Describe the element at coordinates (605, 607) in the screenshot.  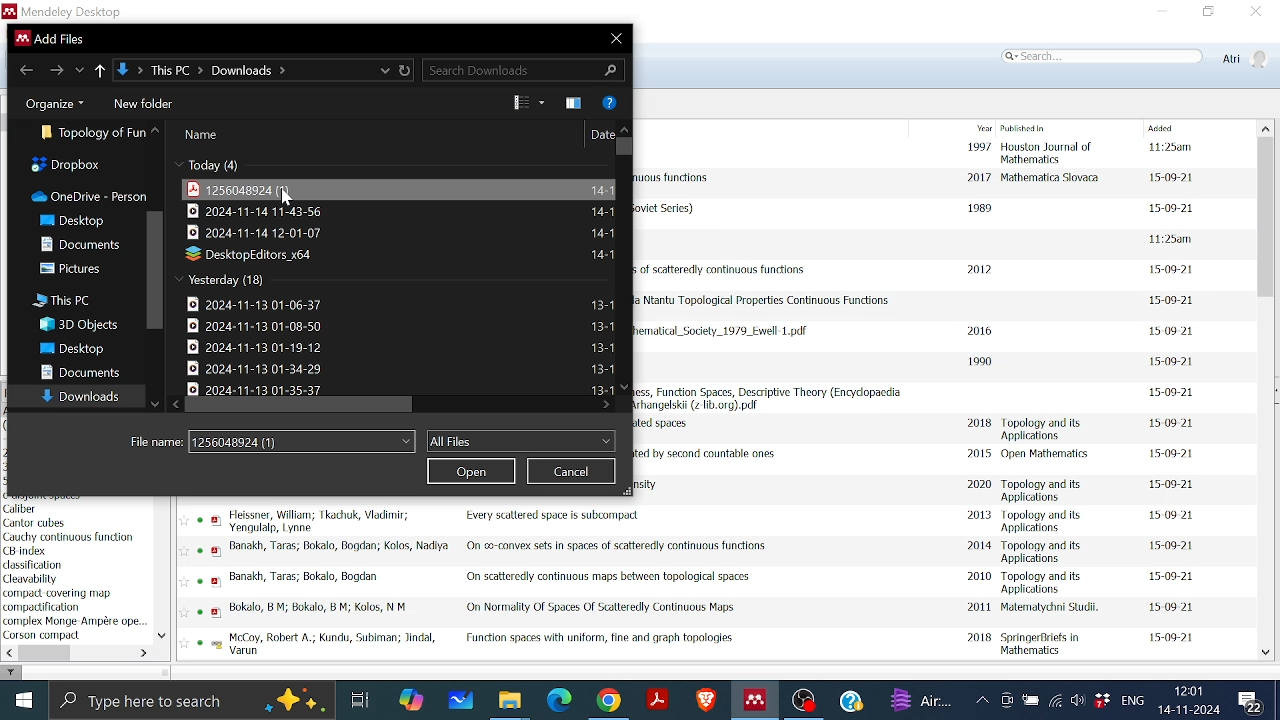
I see `Title` at that location.